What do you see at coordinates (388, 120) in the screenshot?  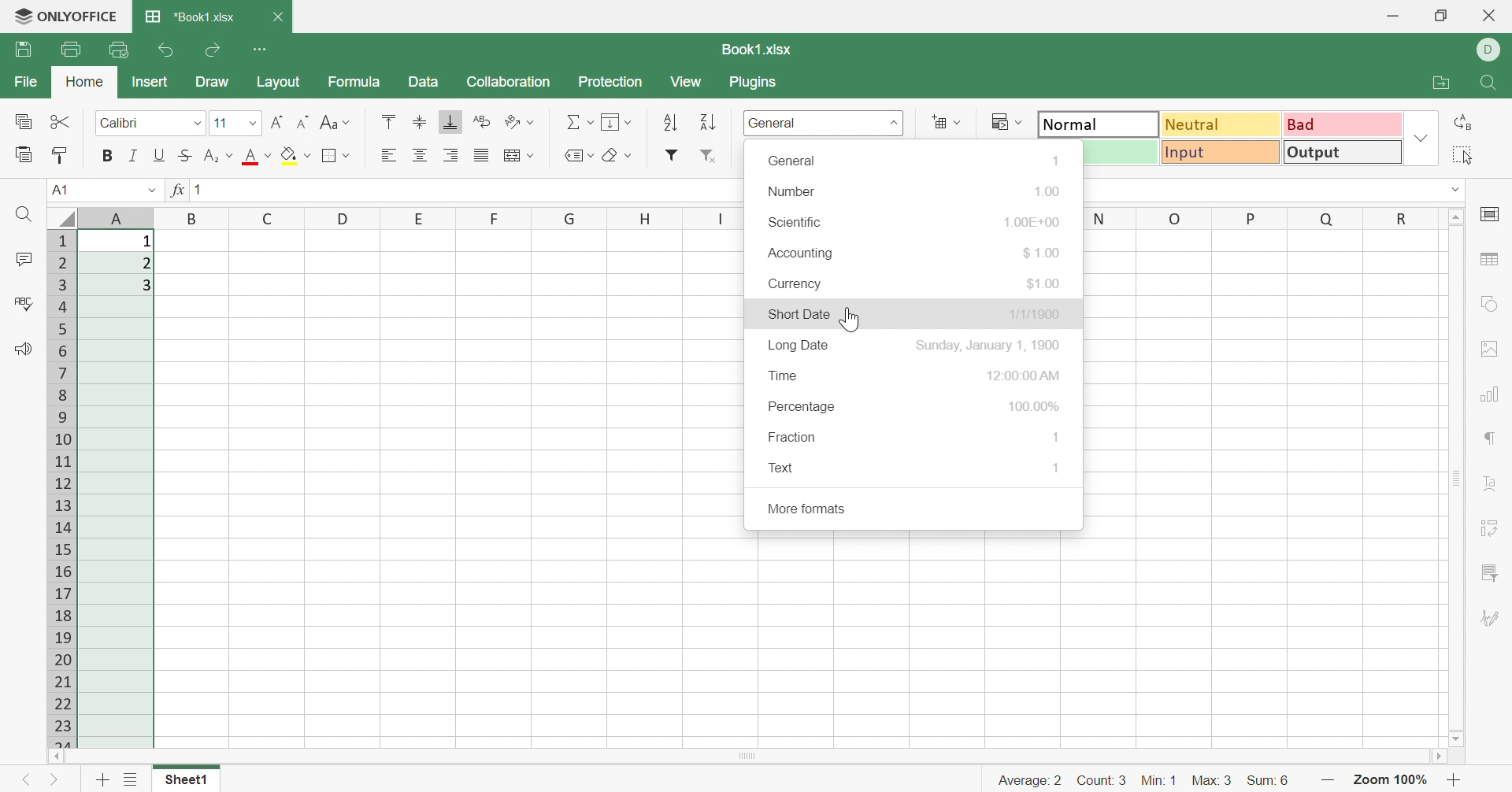 I see `Align top` at bounding box center [388, 120].